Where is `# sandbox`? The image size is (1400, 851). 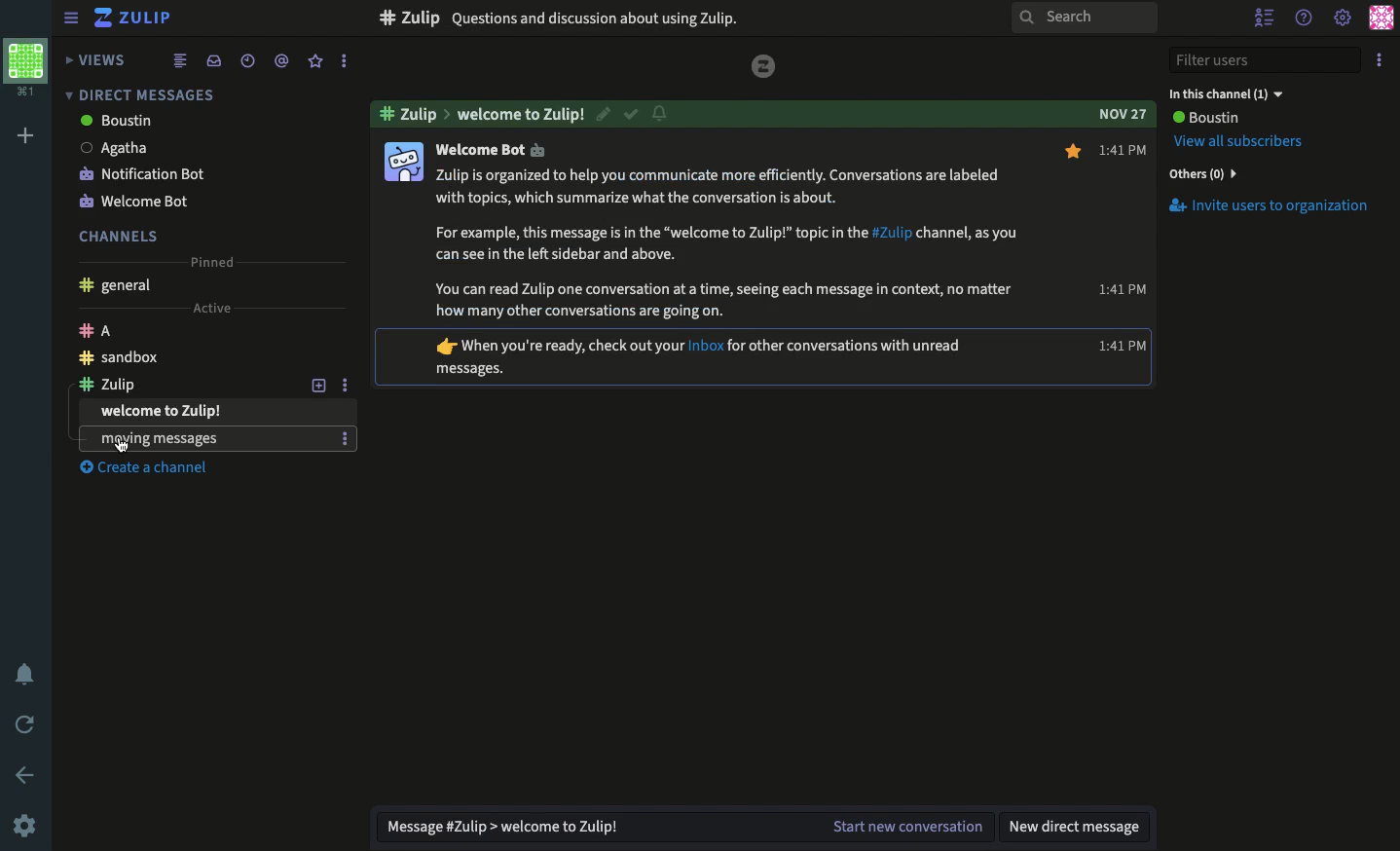 # sandbox is located at coordinates (422, 18).